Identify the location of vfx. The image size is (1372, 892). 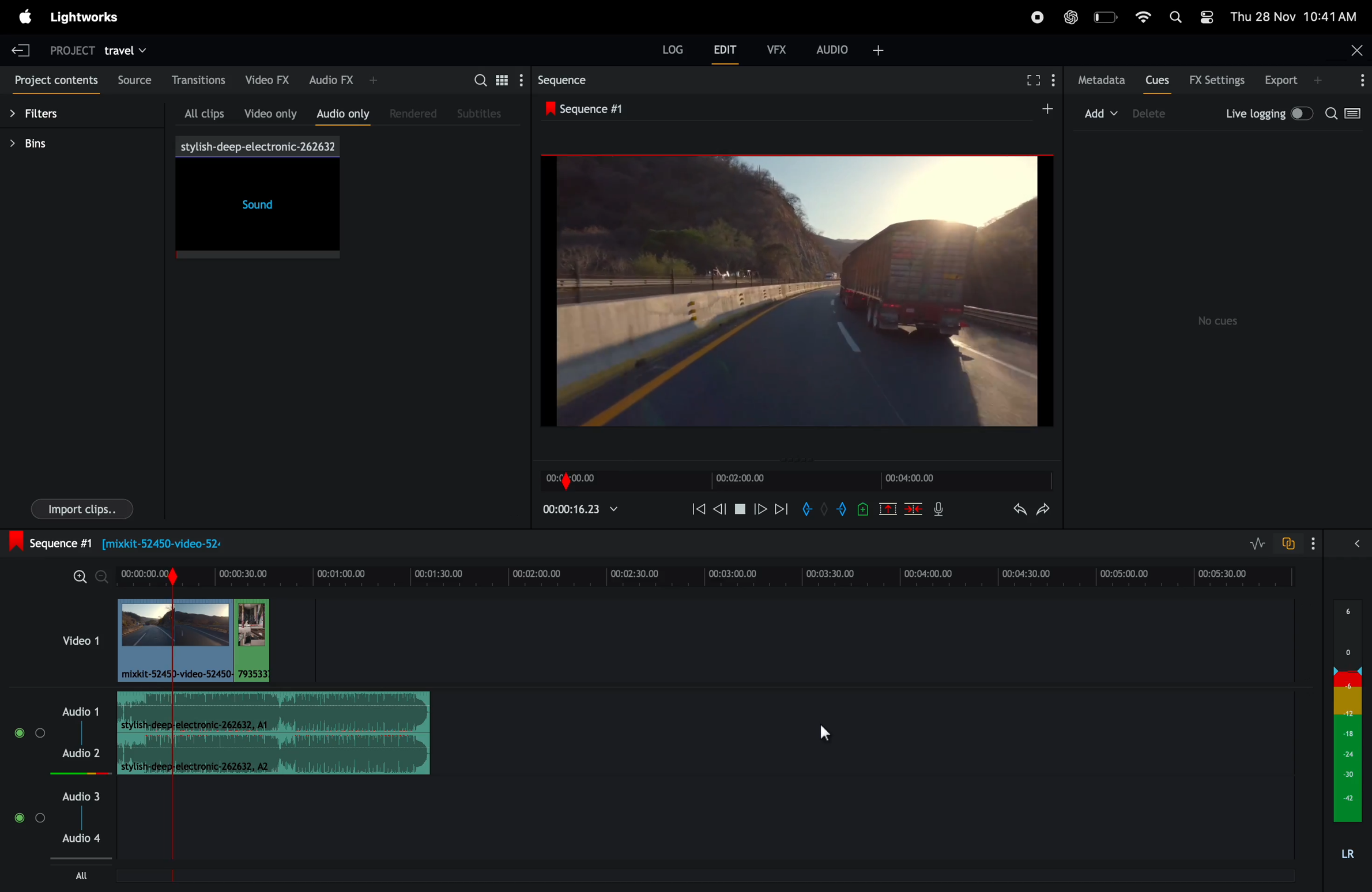
(775, 49).